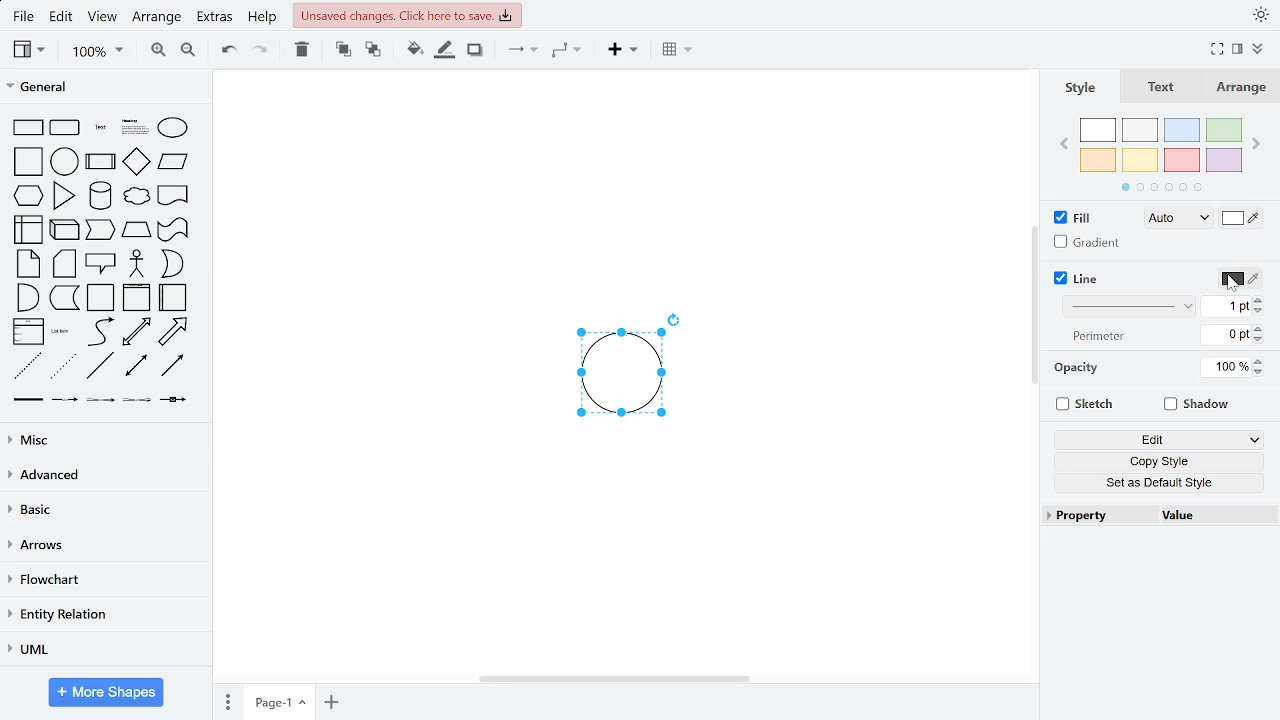 Image resolution: width=1280 pixels, height=720 pixels. Describe the element at coordinates (63, 298) in the screenshot. I see `data storage` at that location.